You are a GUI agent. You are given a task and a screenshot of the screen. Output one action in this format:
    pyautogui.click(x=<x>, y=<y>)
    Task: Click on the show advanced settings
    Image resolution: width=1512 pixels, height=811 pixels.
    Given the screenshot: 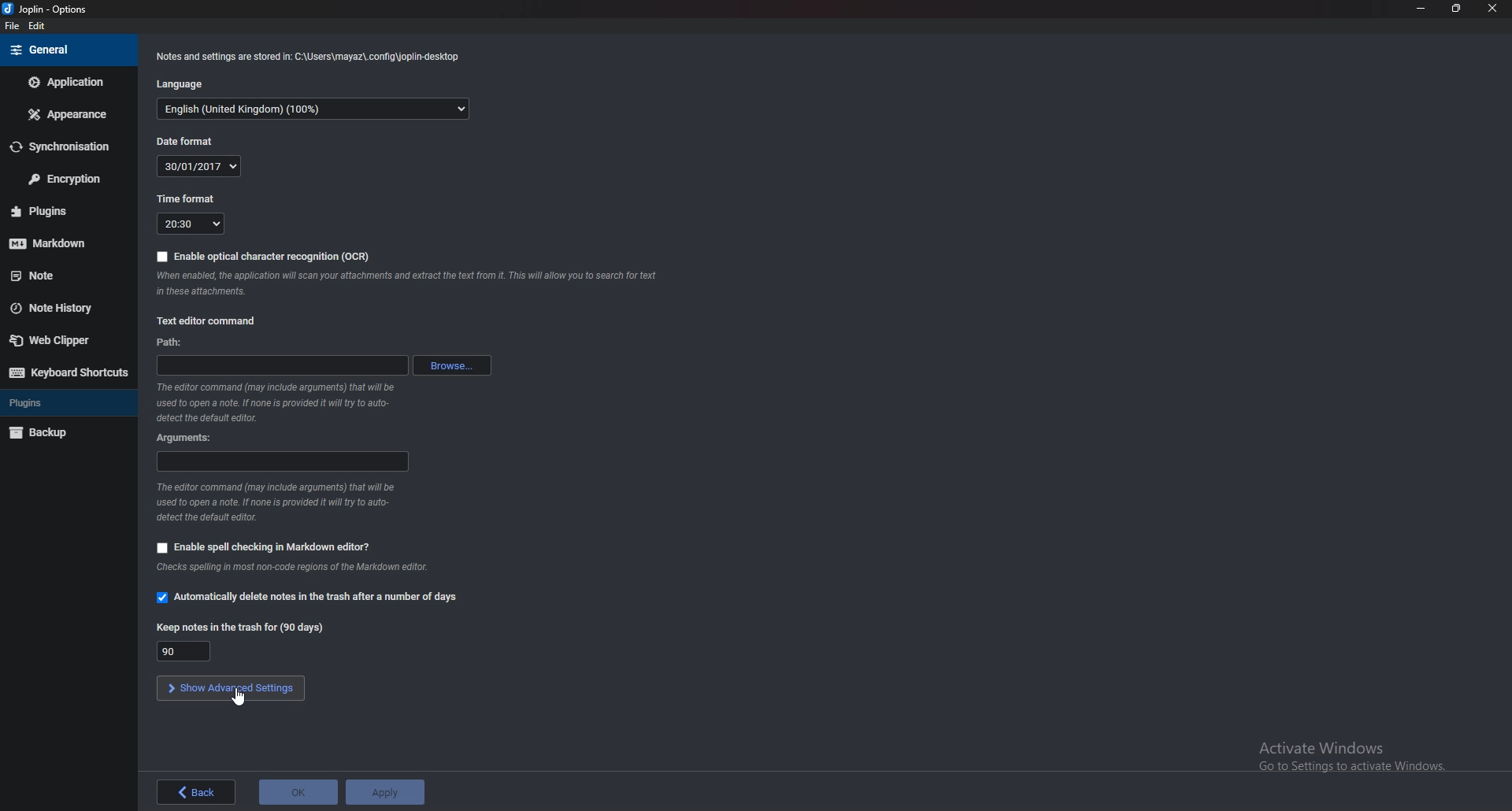 What is the action you would take?
    pyautogui.click(x=232, y=688)
    